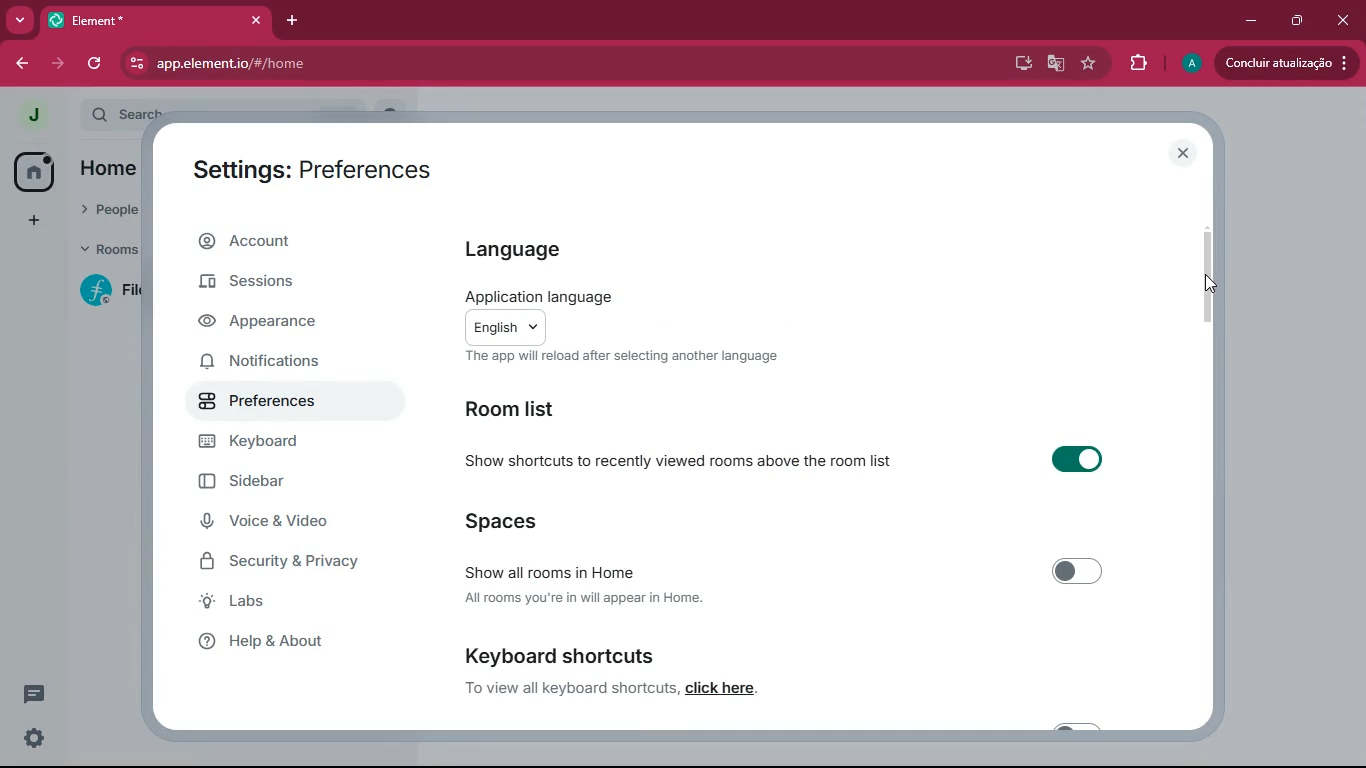 This screenshot has width=1366, height=768. What do you see at coordinates (21, 21) in the screenshot?
I see `more` at bounding box center [21, 21].